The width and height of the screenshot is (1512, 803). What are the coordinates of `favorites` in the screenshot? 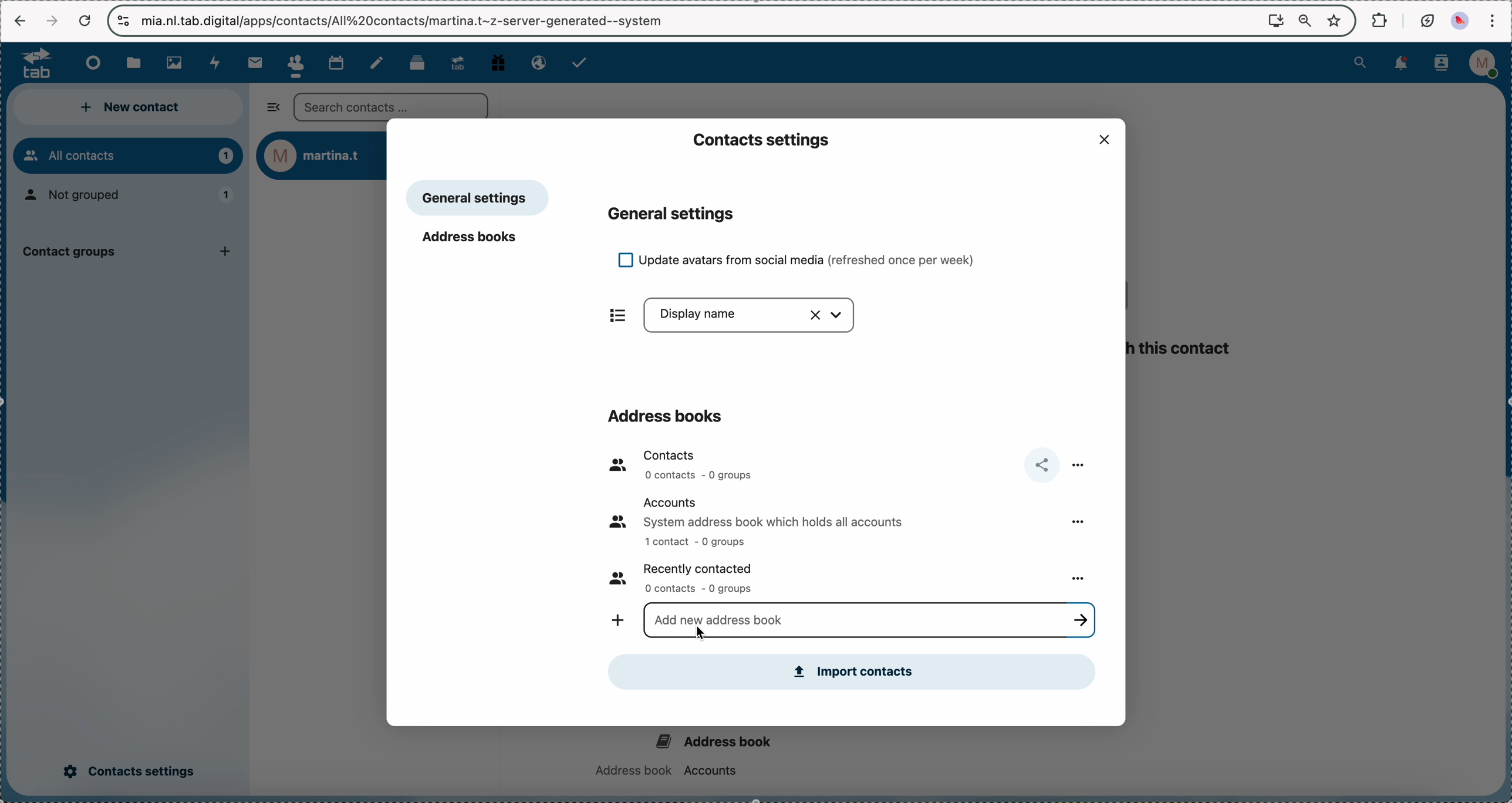 It's located at (1334, 21).